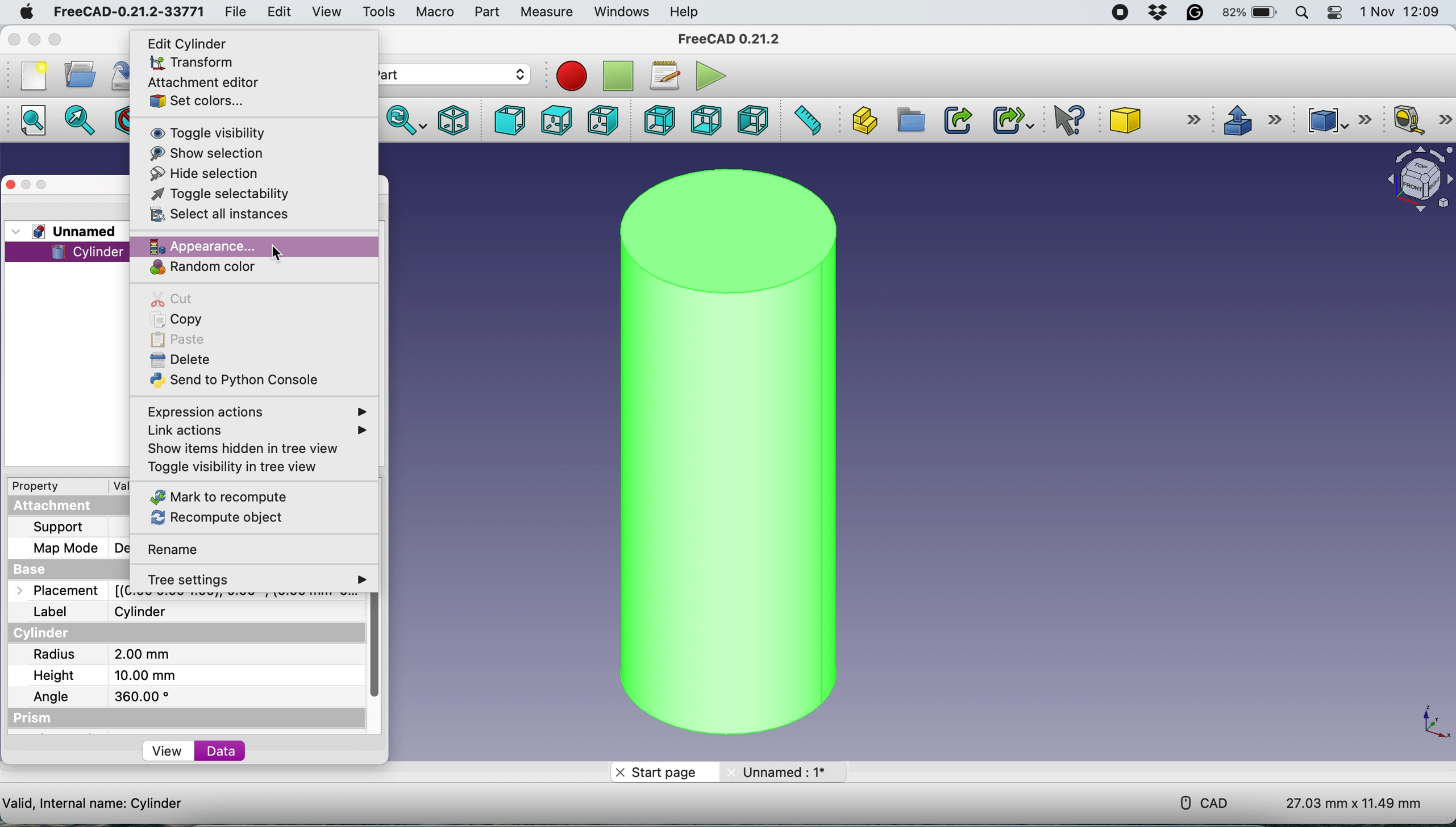 The width and height of the screenshot is (1456, 827). What do you see at coordinates (238, 11) in the screenshot?
I see `file` at bounding box center [238, 11].